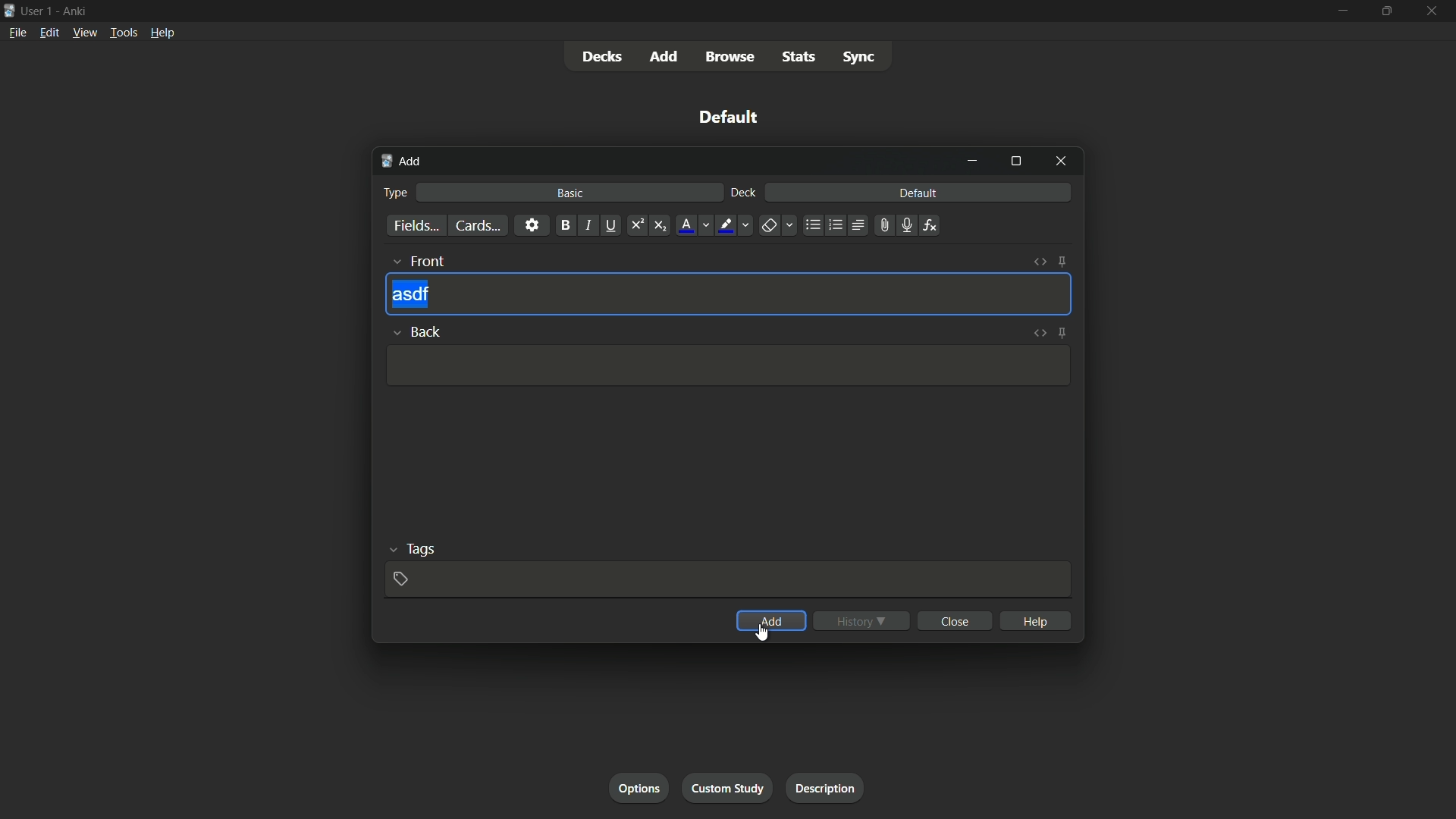 This screenshot has height=819, width=1456. I want to click on italic, so click(587, 224).